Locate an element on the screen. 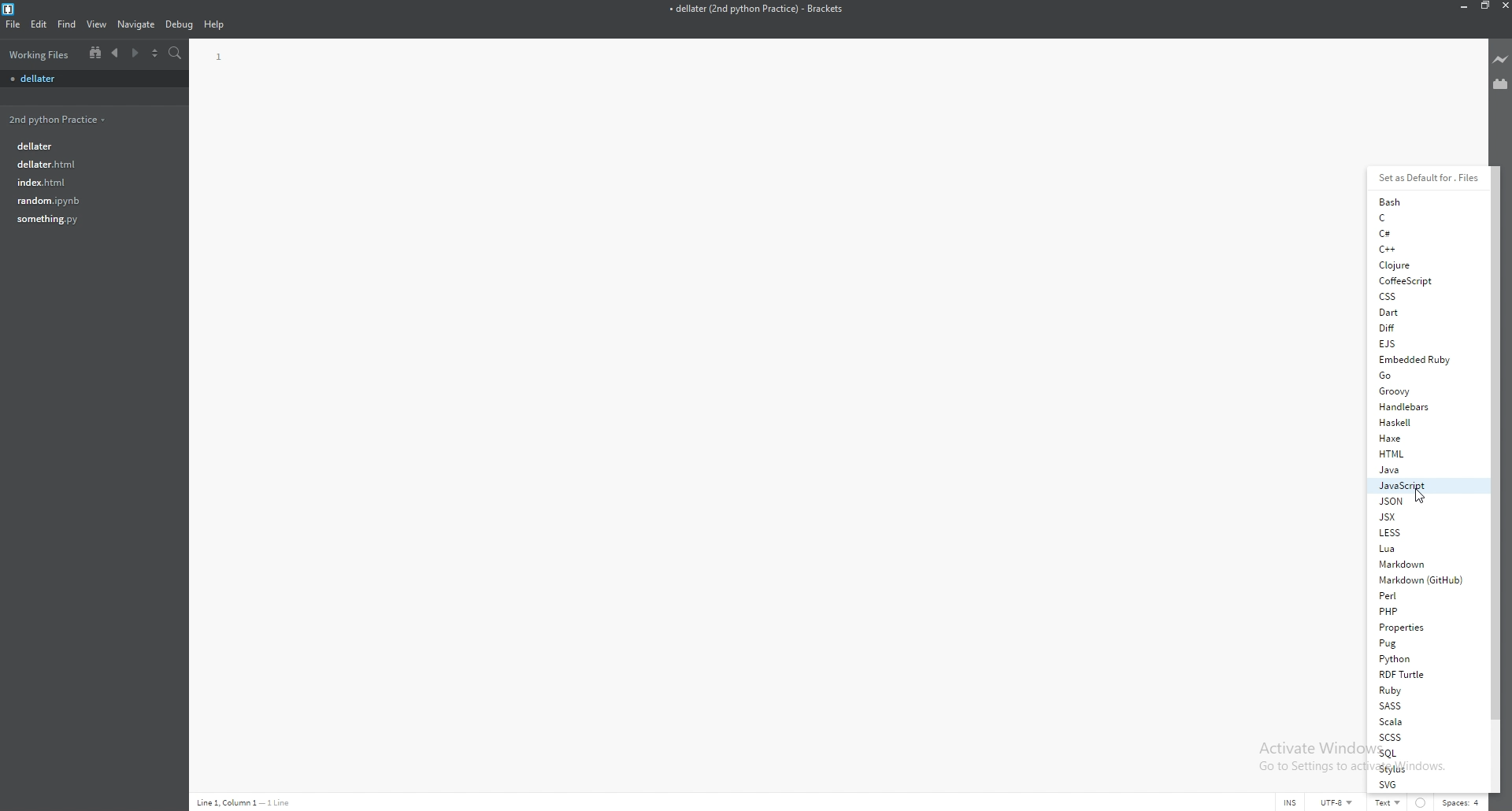 The width and height of the screenshot is (1512, 811). jsx is located at coordinates (1421, 517).